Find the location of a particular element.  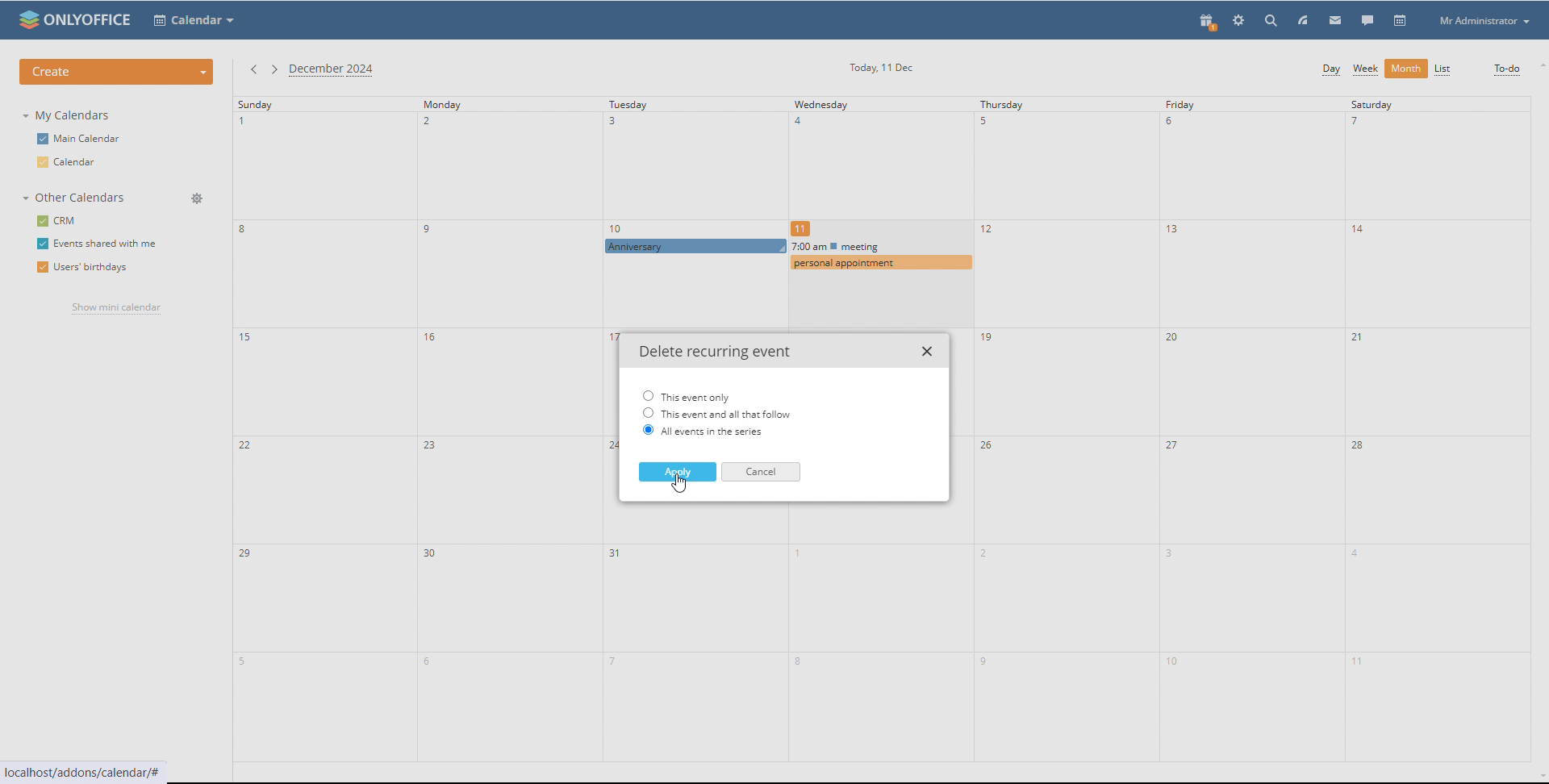

thursday is located at coordinates (1066, 430).